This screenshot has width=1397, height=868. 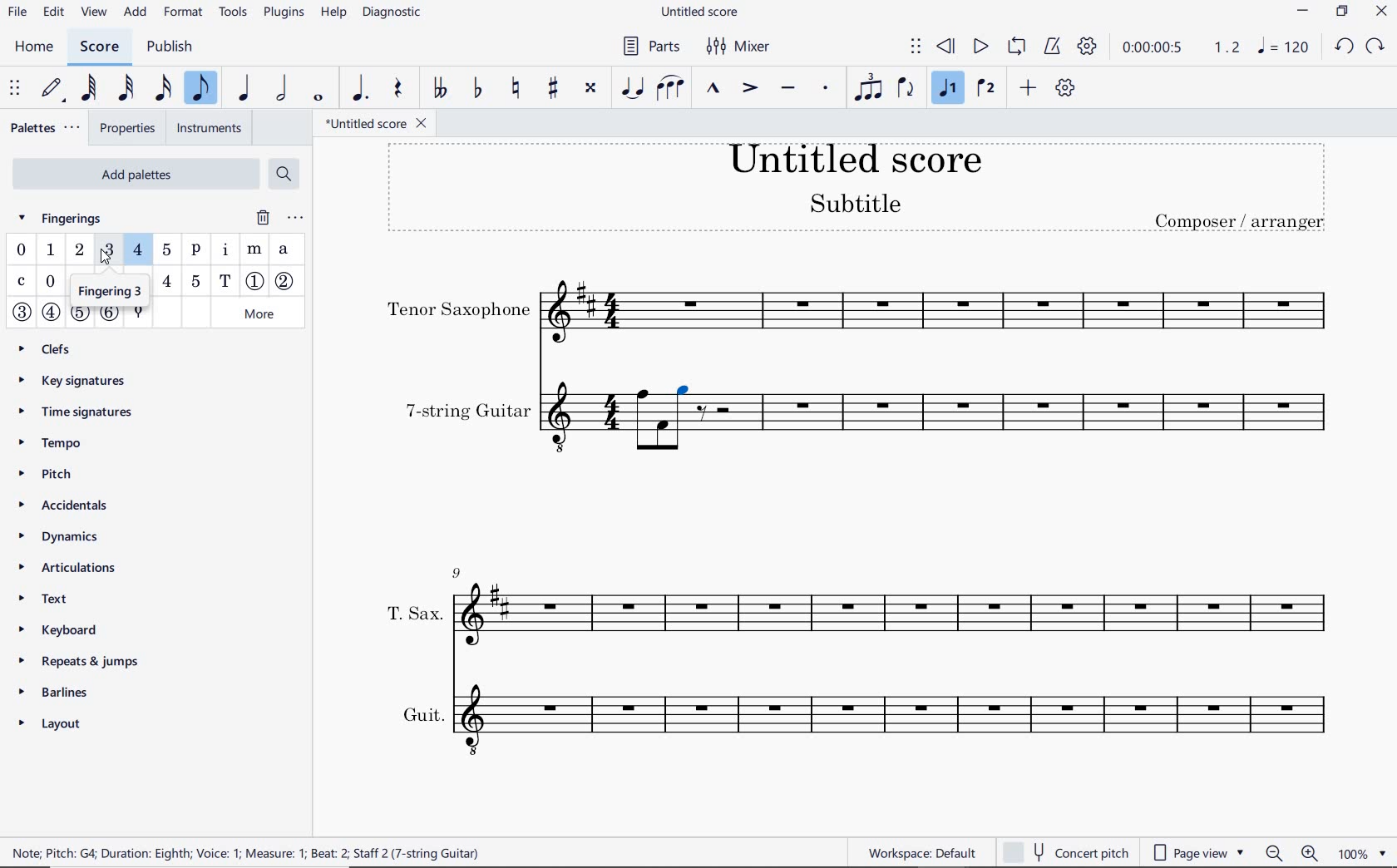 I want to click on REPEATS & JUMPS, so click(x=76, y=660).